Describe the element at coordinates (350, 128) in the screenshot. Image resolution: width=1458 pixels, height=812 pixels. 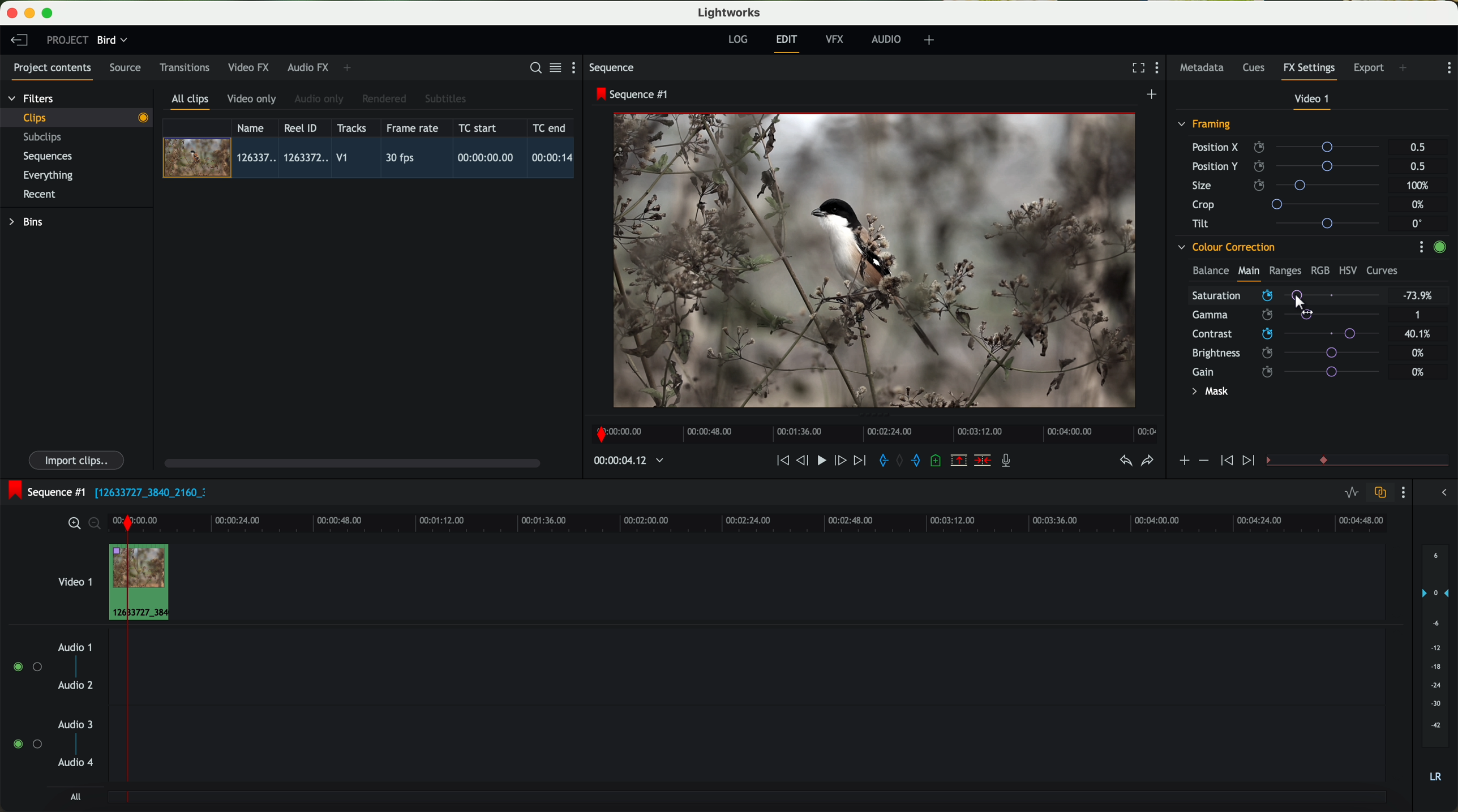
I see `tracks` at that location.